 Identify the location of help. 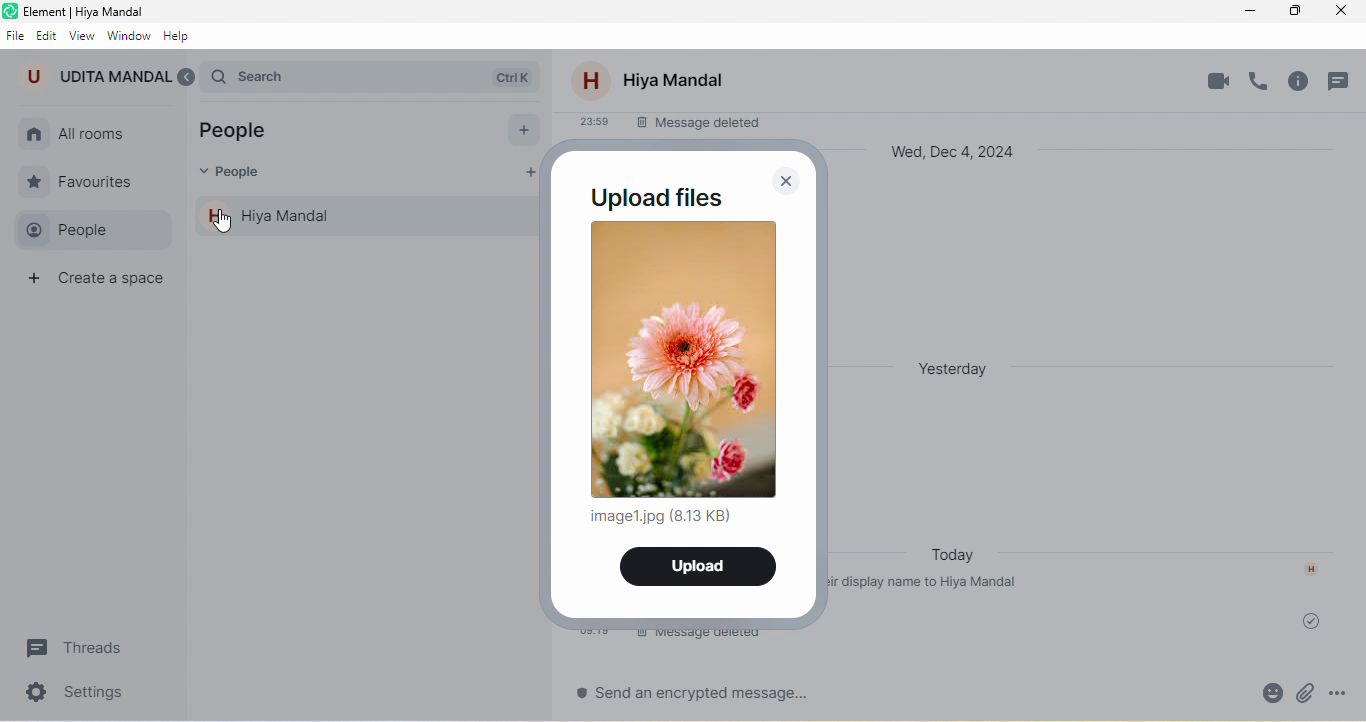
(184, 35).